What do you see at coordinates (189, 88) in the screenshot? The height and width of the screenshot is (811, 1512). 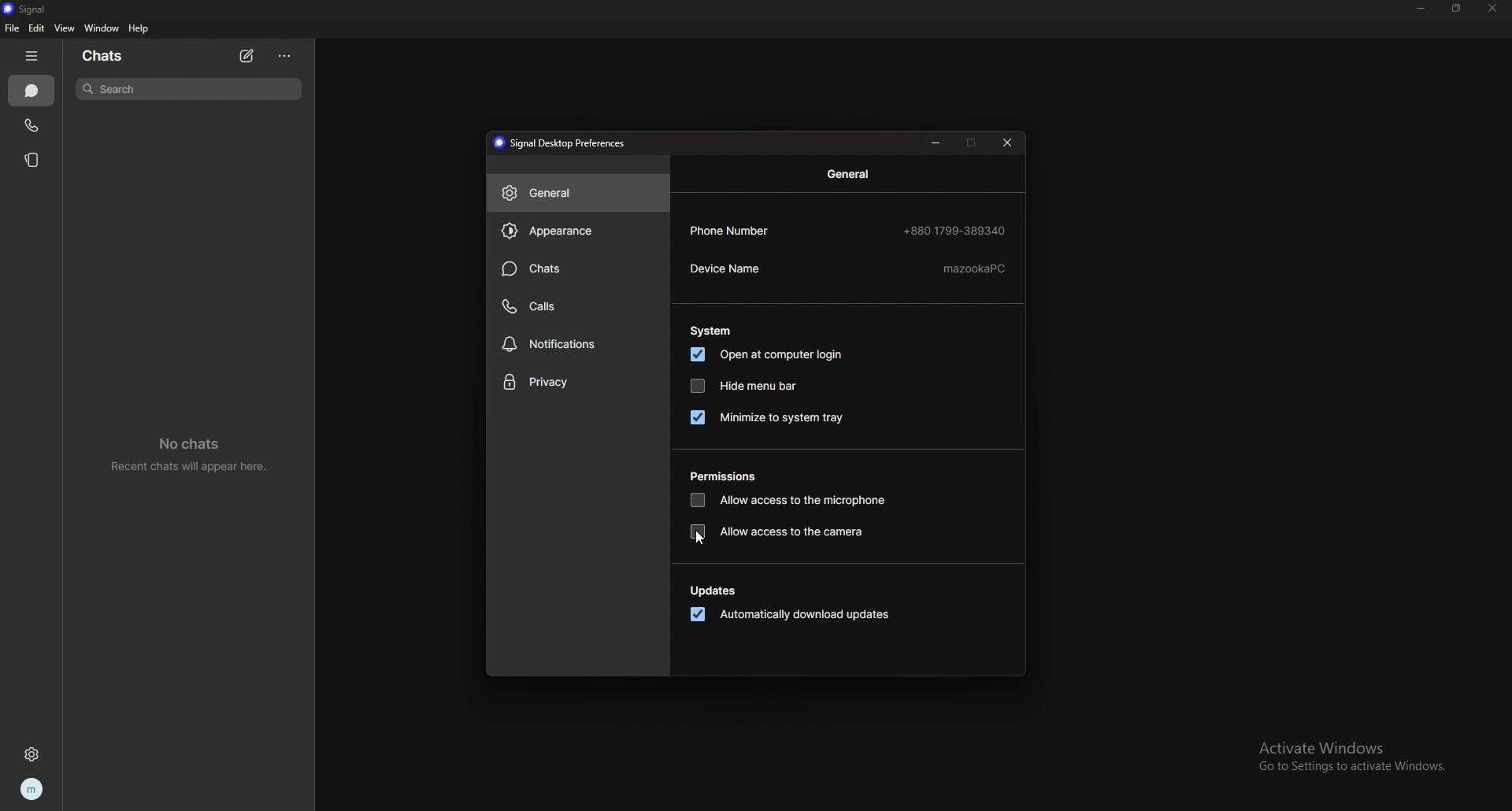 I see `search` at bounding box center [189, 88].